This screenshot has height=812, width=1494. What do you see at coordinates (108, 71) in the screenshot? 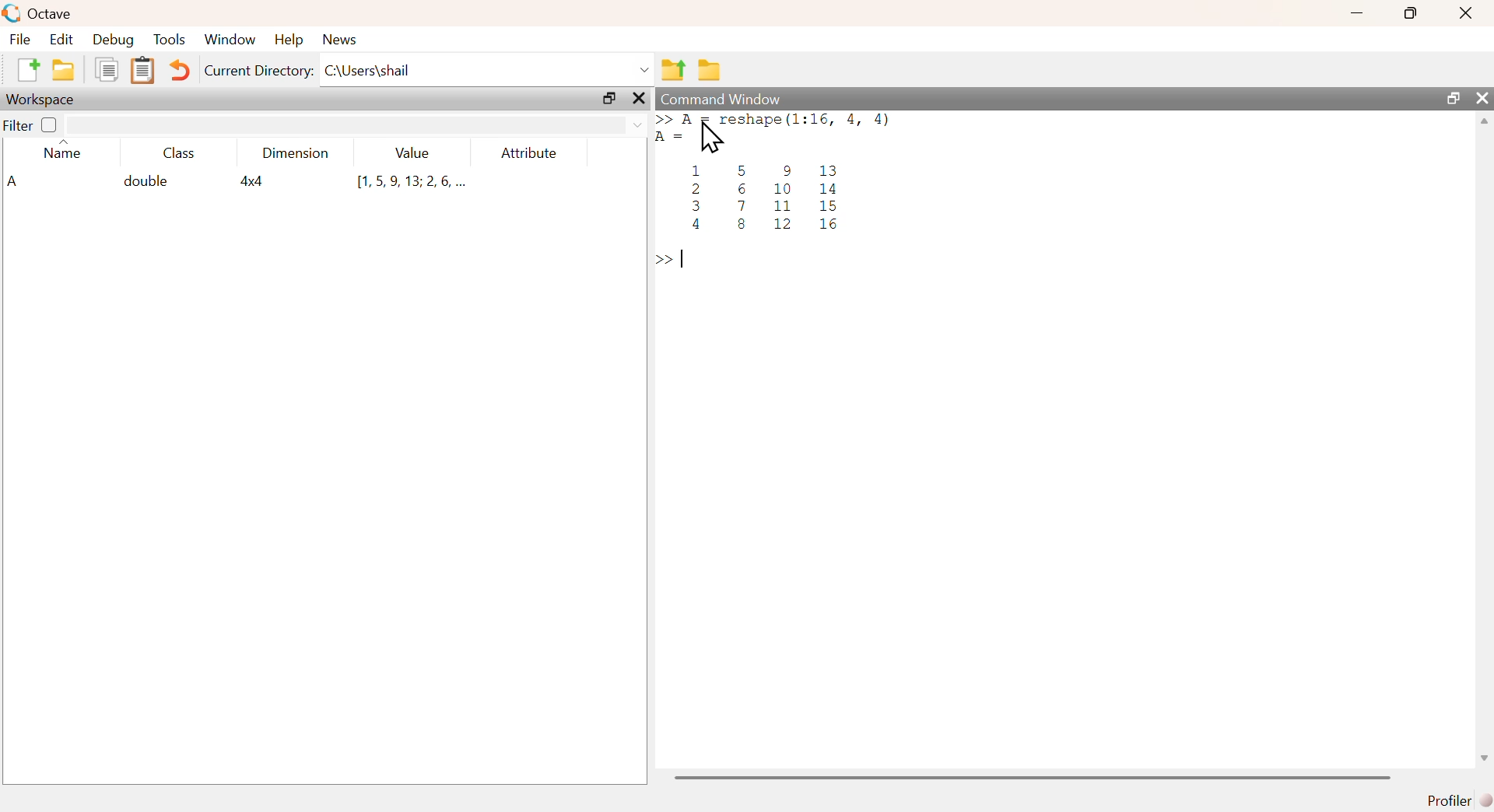
I see `copy` at bounding box center [108, 71].